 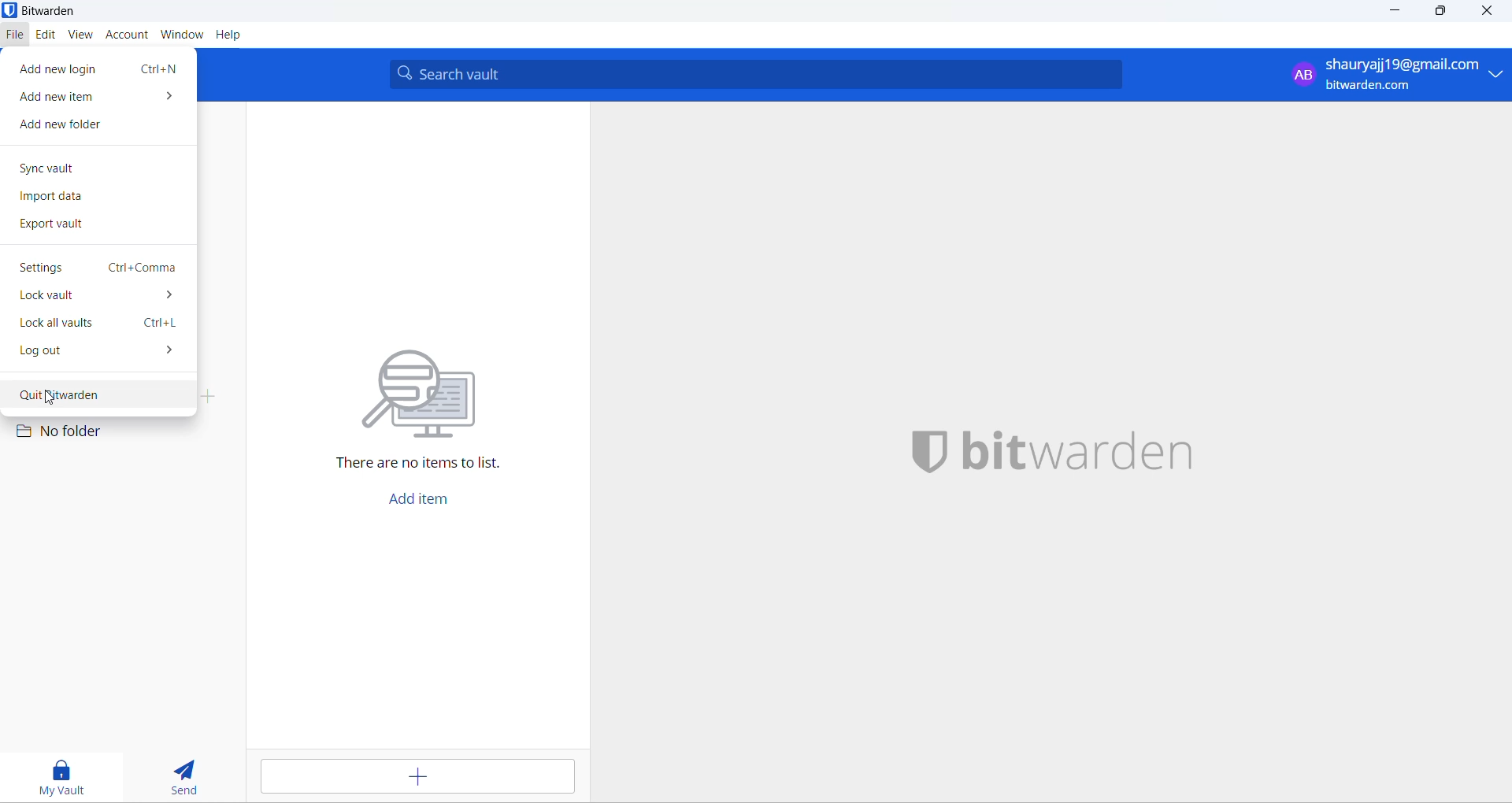 I want to click on application logo, so click(x=928, y=453).